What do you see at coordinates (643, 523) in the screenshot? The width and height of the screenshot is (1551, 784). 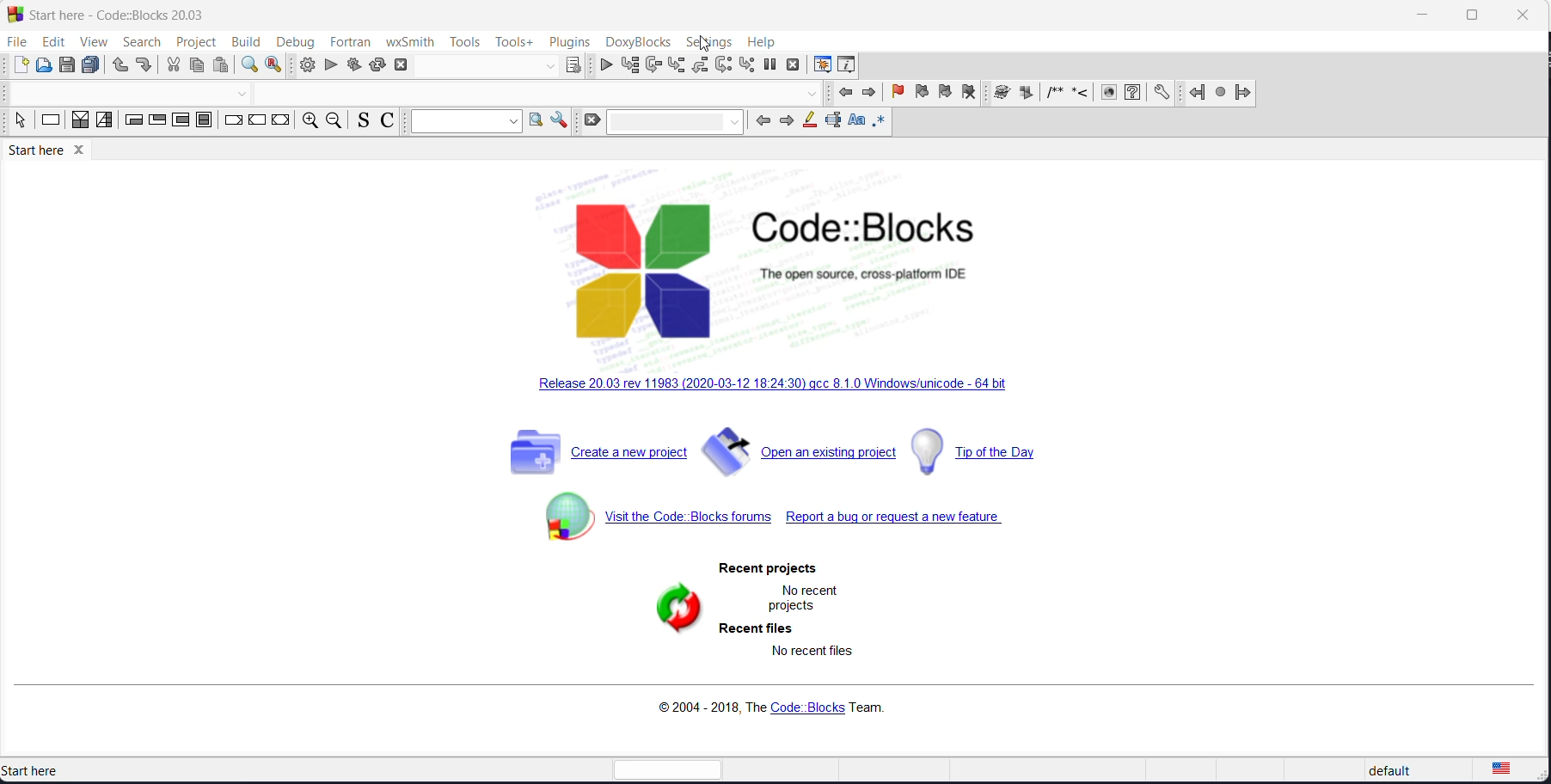 I see `forum` at bounding box center [643, 523].